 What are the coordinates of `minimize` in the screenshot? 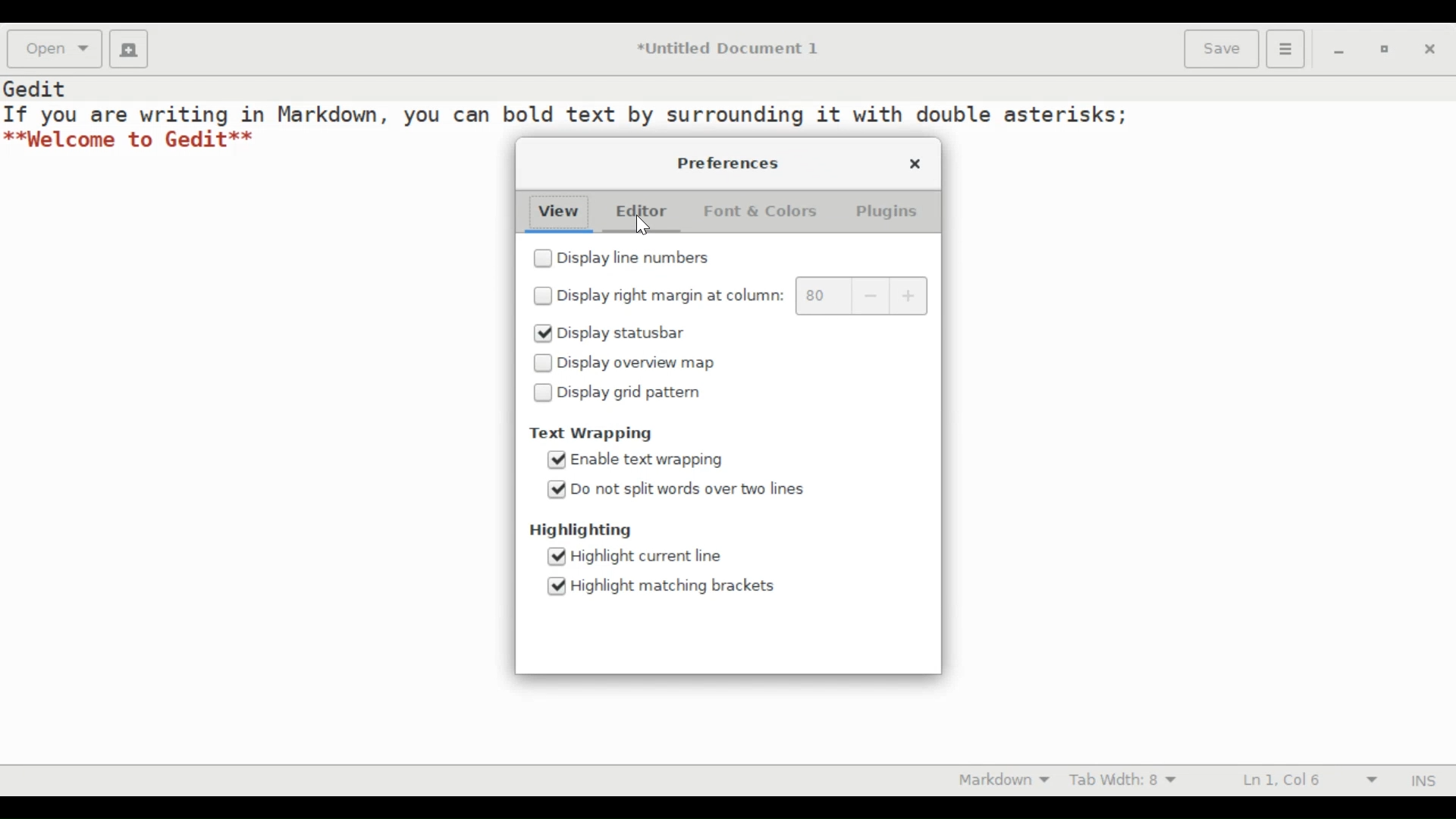 It's located at (1336, 52).